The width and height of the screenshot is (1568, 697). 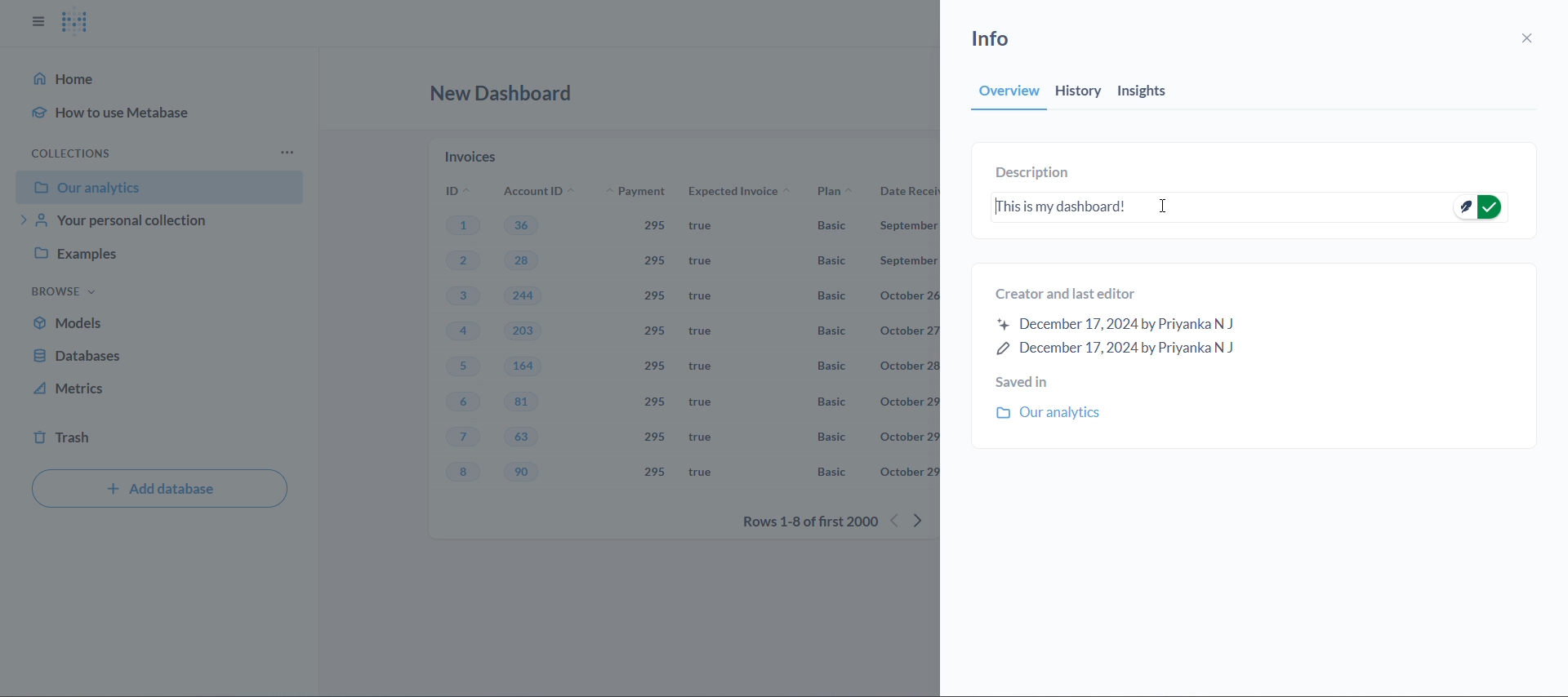 What do you see at coordinates (659, 366) in the screenshot?
I see `295` at bounding box center [659, 366].